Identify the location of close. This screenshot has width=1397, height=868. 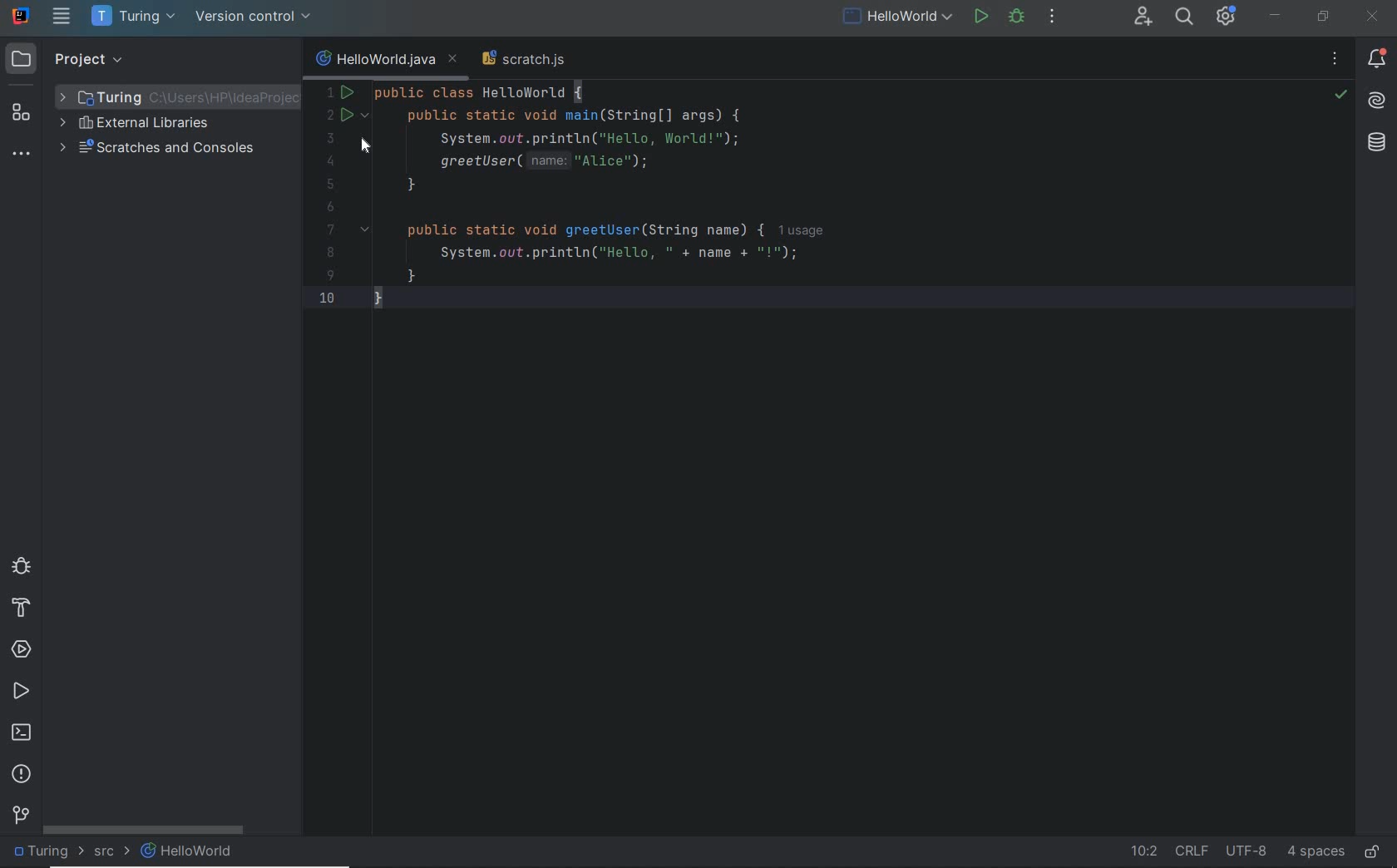
(1375, 18).